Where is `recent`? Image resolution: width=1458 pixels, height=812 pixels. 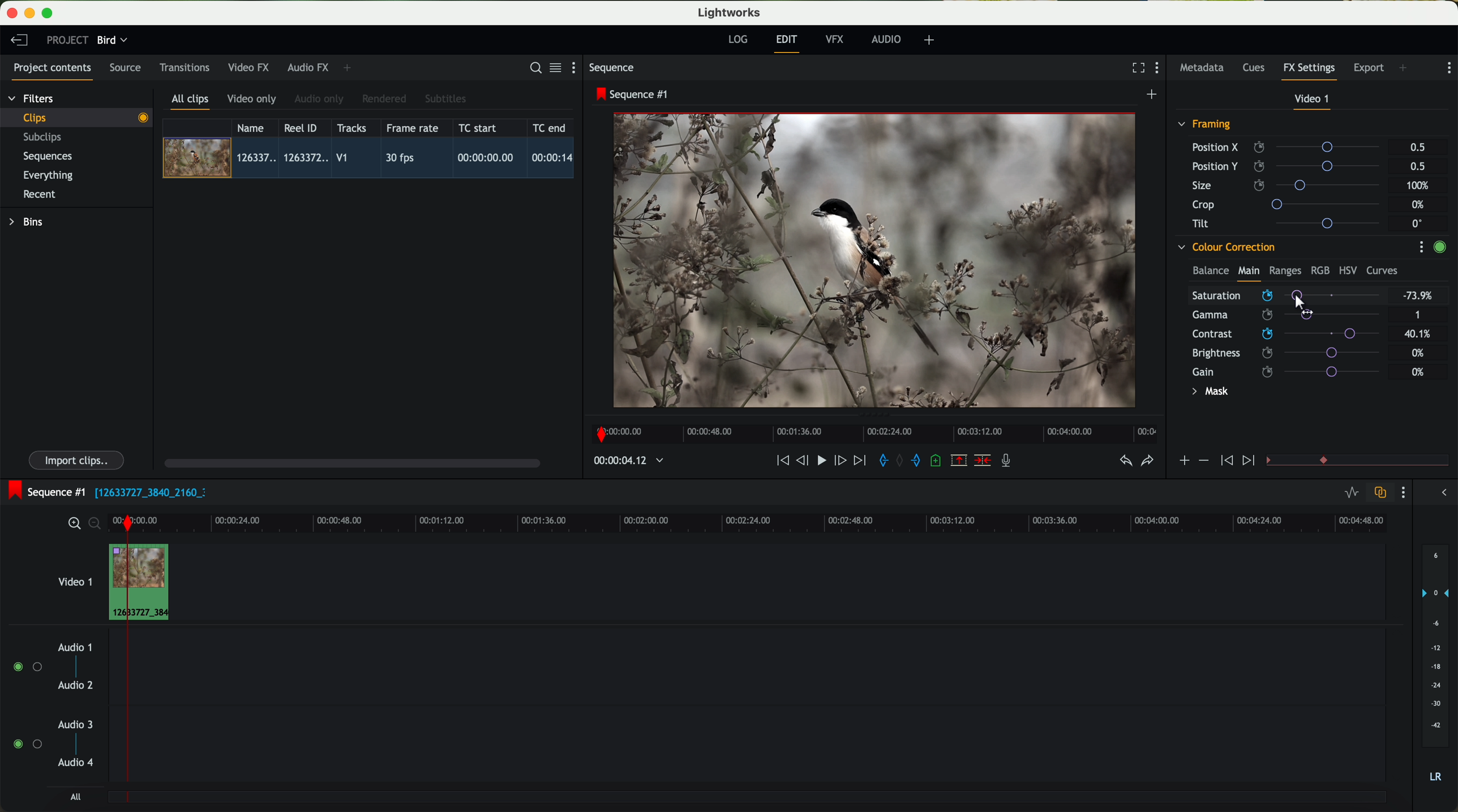
recent is located at coordinates (40, 196).